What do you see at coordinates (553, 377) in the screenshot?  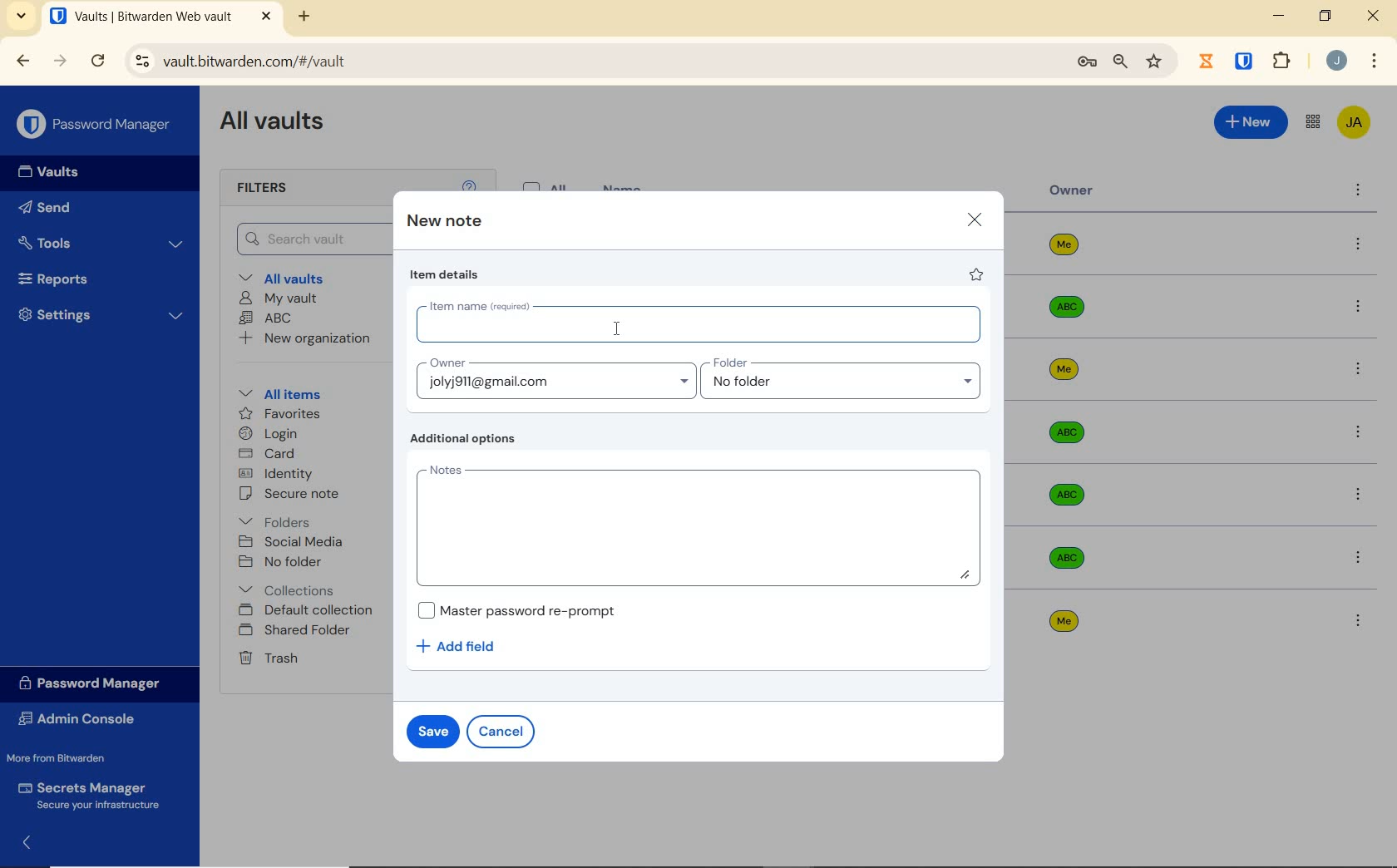 I see `Input Owner` at bounding box center [553, 377].